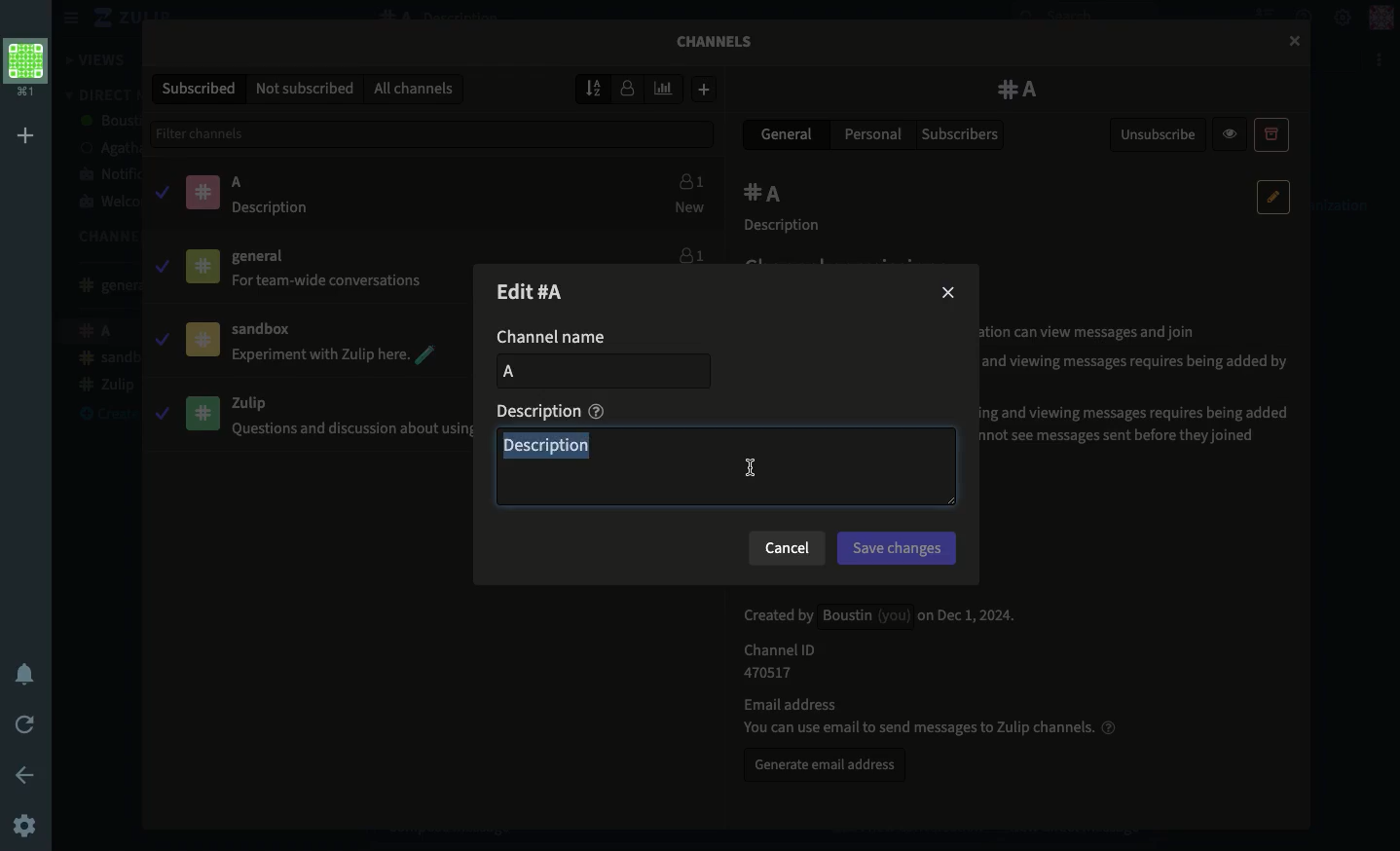 This screenshot has height=851, width=1400. What do you see at coordinates (790, 133) in the screenshot?
I see `General` at bounding box center [790, 133].